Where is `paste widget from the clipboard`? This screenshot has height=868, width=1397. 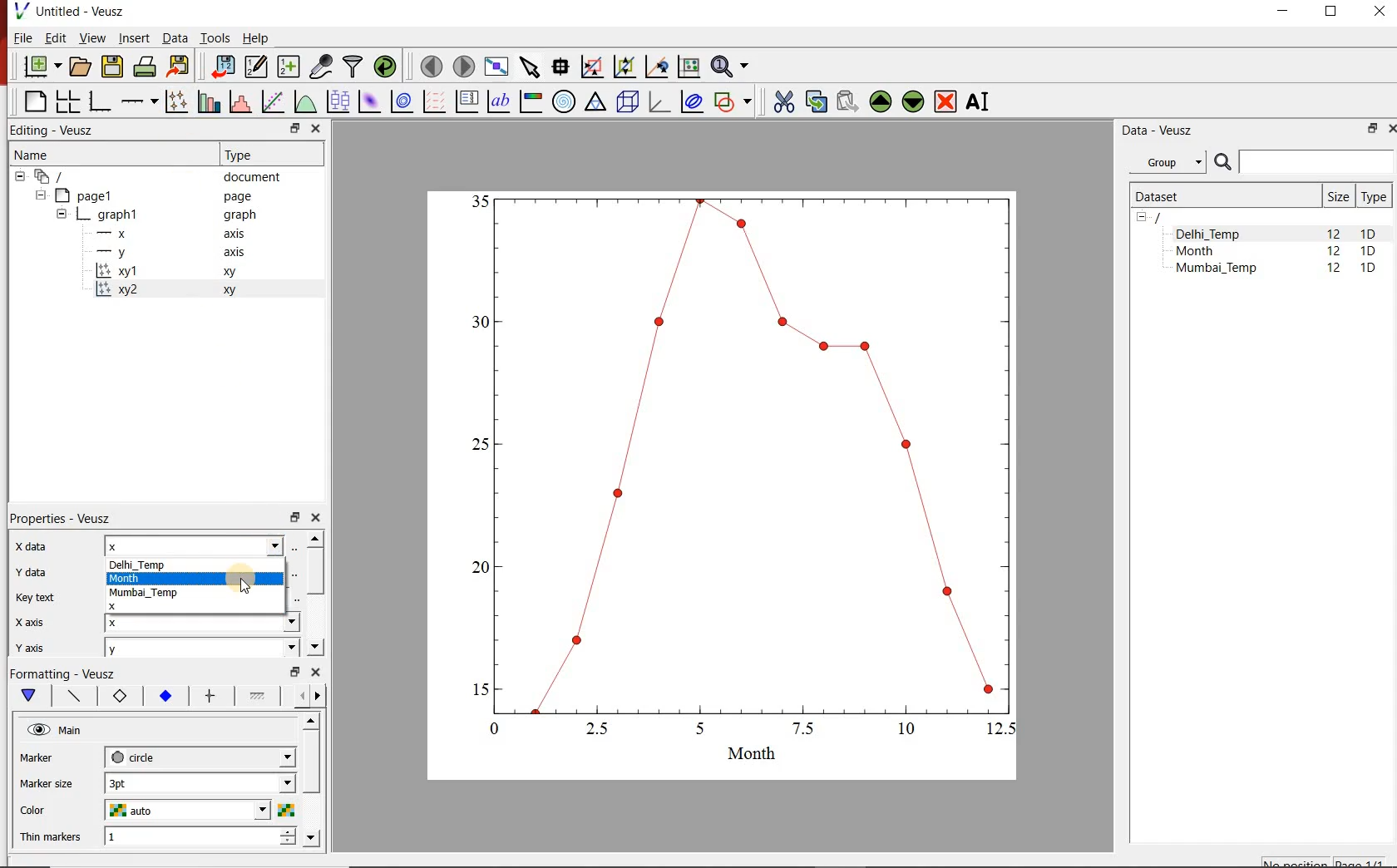 paste widget from the clipboard is located at coordinates (848, 101).